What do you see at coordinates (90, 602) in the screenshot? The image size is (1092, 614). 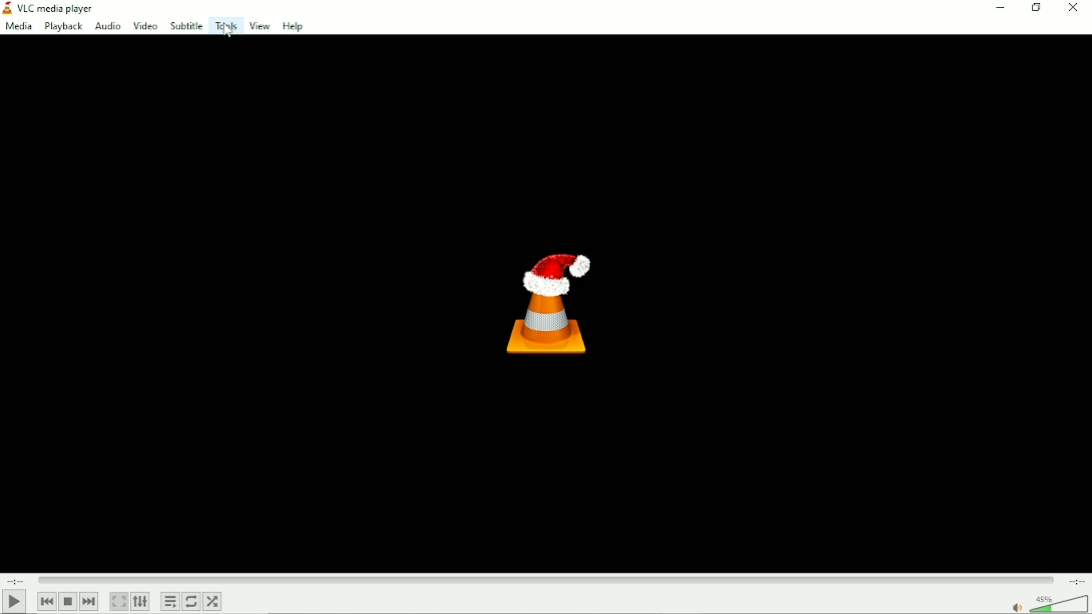 I see `Next` at bounding box center [90, 602].